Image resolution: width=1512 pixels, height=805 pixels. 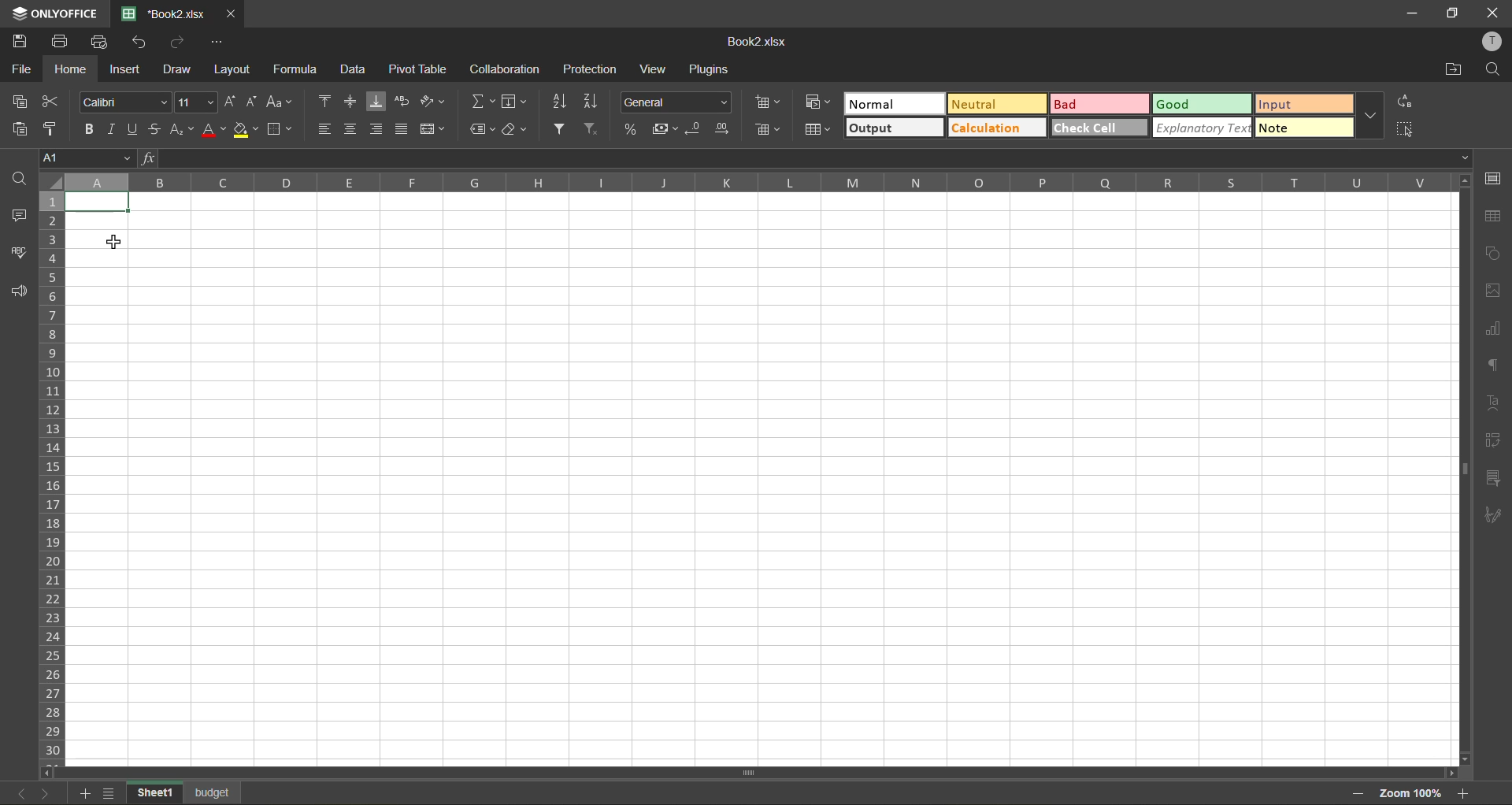 I want to click on strikethrough, so click(x=160, y=130).